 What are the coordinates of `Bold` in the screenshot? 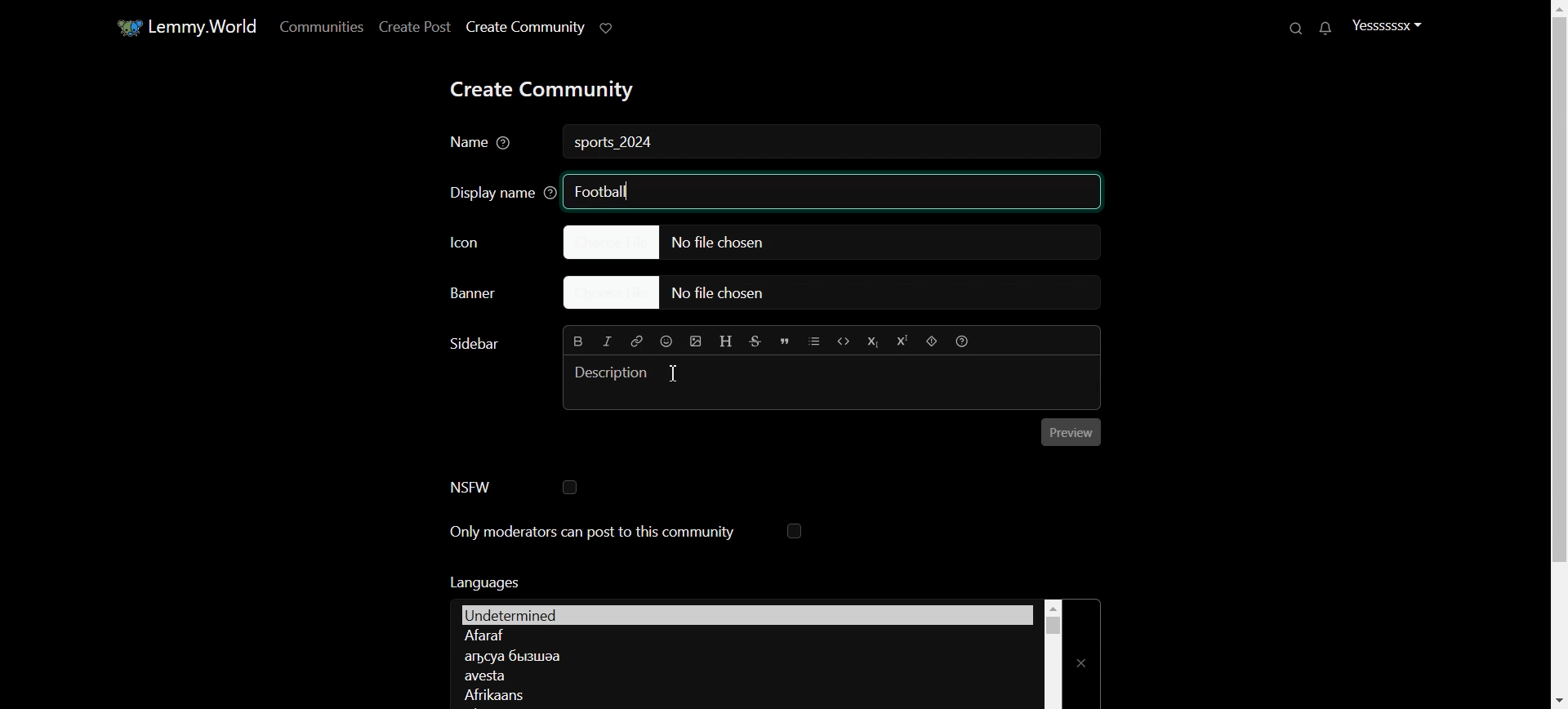 It's located at (579, 340).